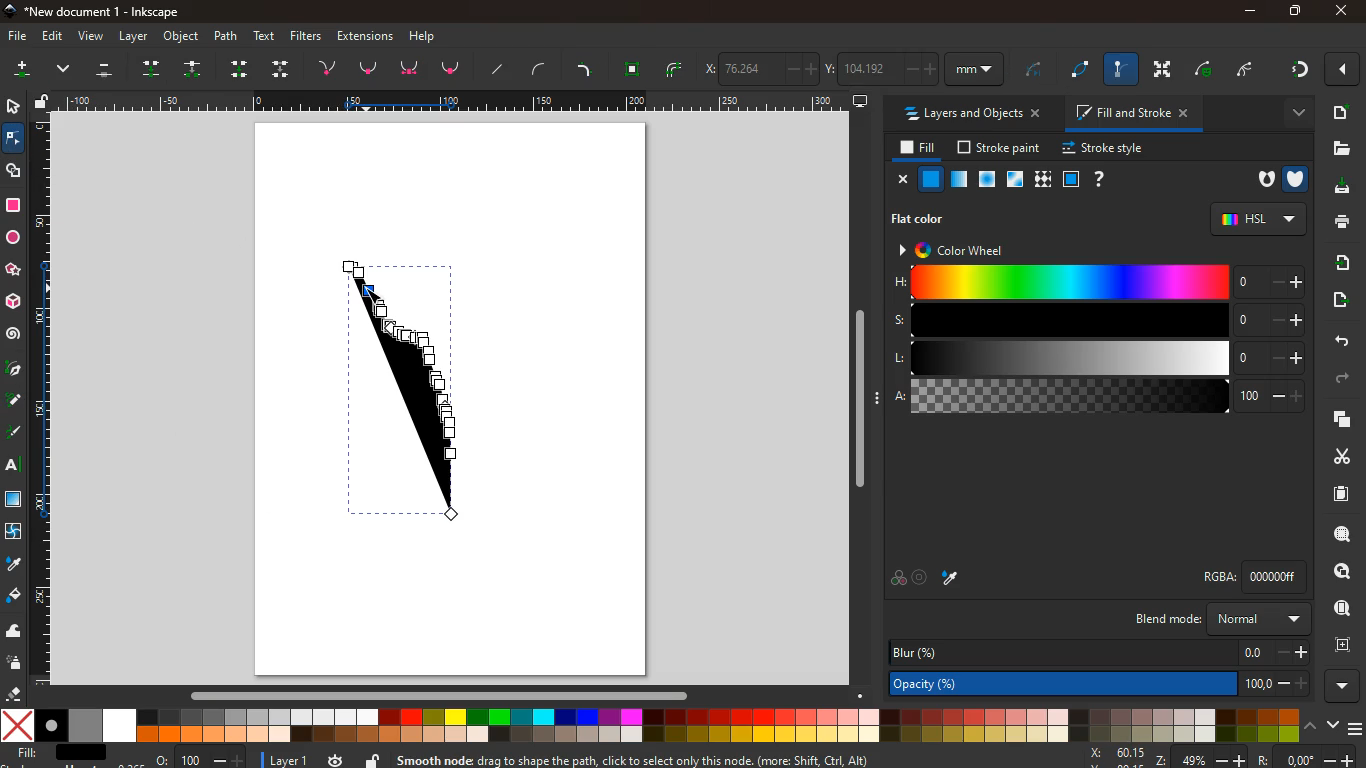  I want to click on minimize, so click(1250, 12).